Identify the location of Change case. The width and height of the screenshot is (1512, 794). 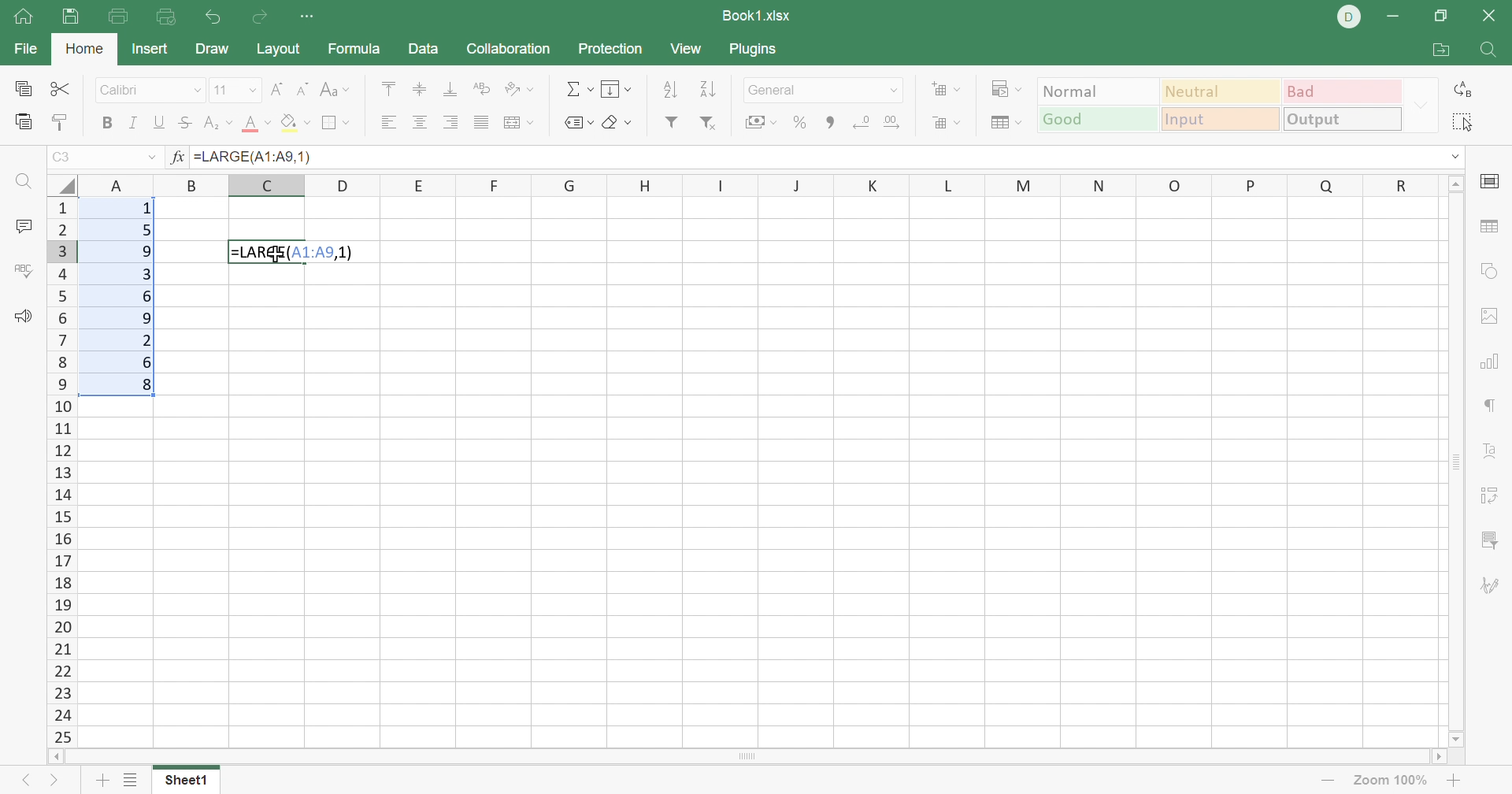
(337, 91).